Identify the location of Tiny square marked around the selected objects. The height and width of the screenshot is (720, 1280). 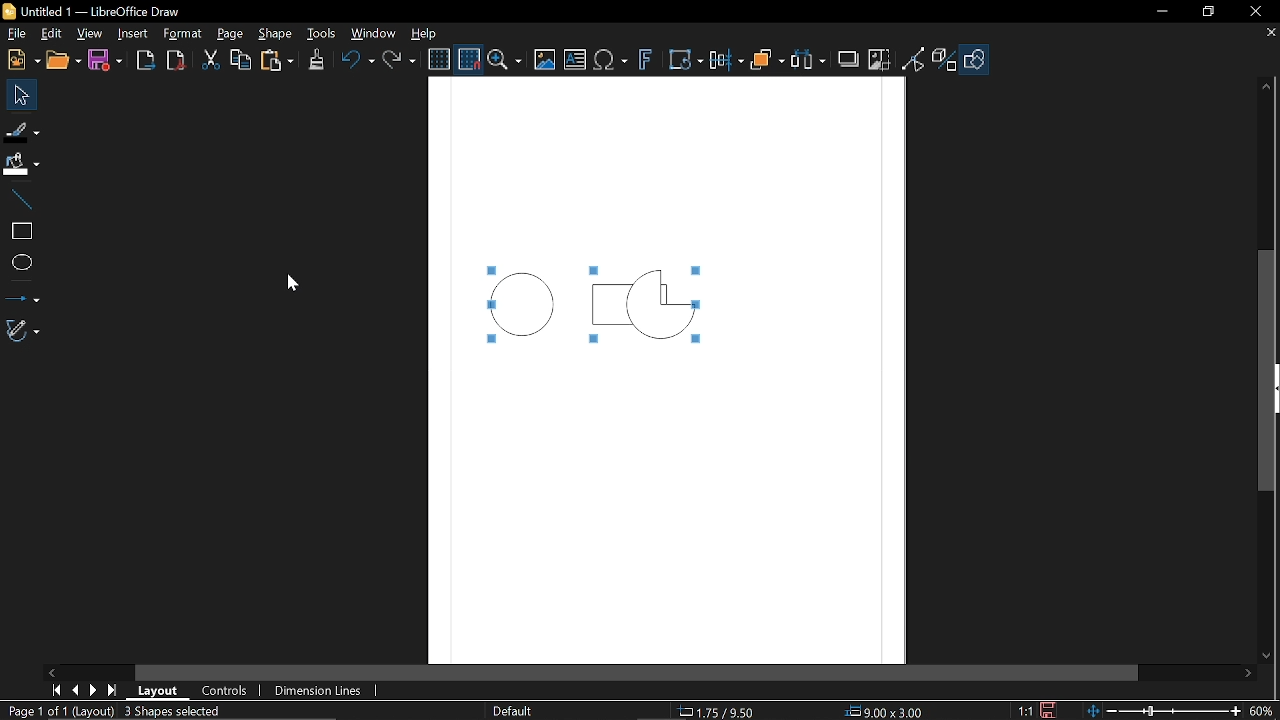
(707, 304).